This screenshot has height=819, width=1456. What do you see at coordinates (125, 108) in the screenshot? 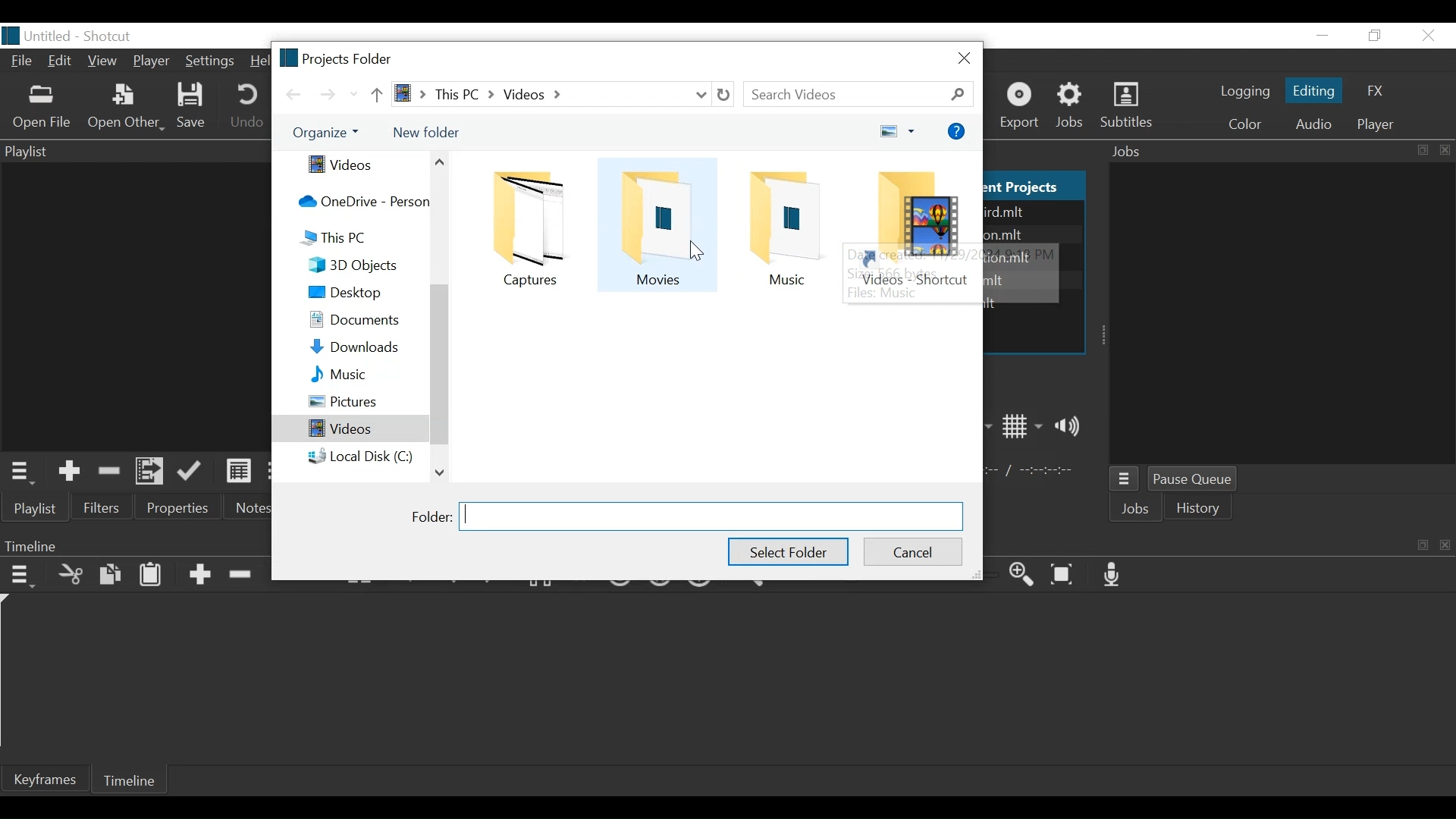
I see `Open Other` at bounding box center [125, 108].